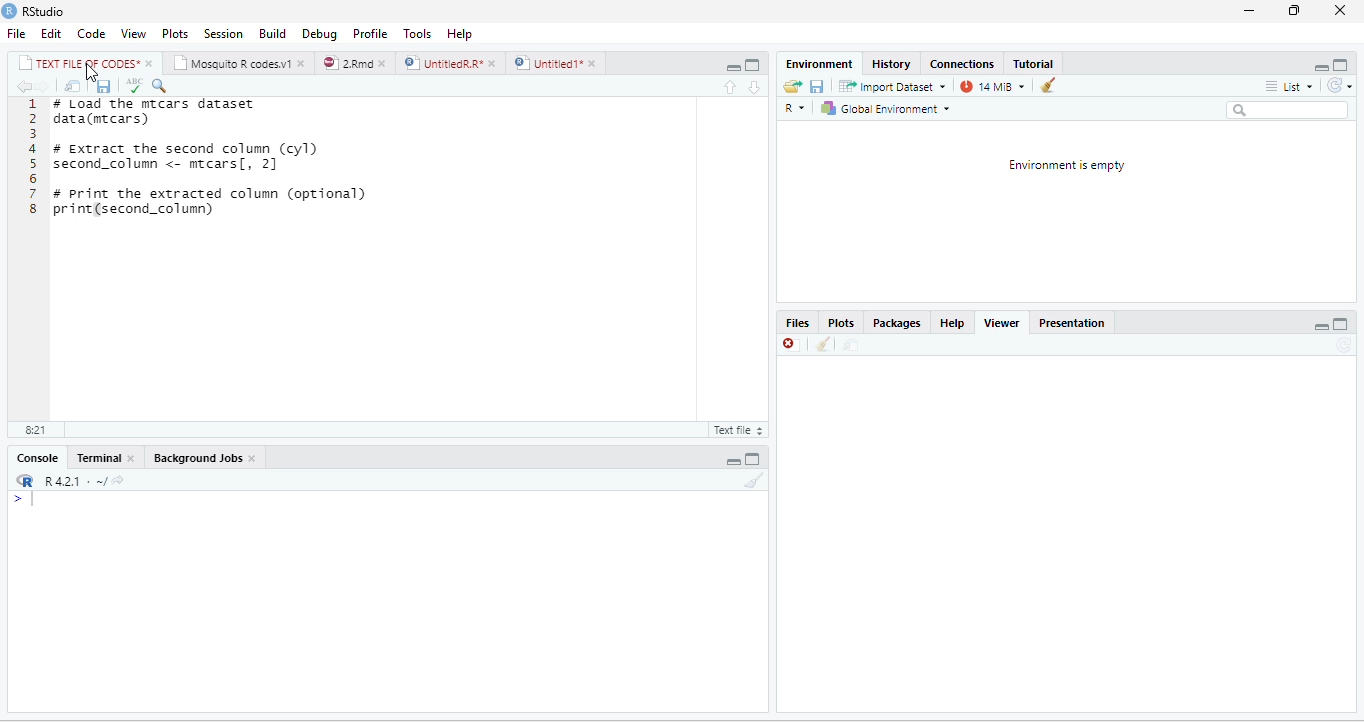 The width and height of the screenshot is (1364, 722). What do you see at coordinates (34, 458) in the screenshot?
I see `Console` at bounding box center [34, 458].